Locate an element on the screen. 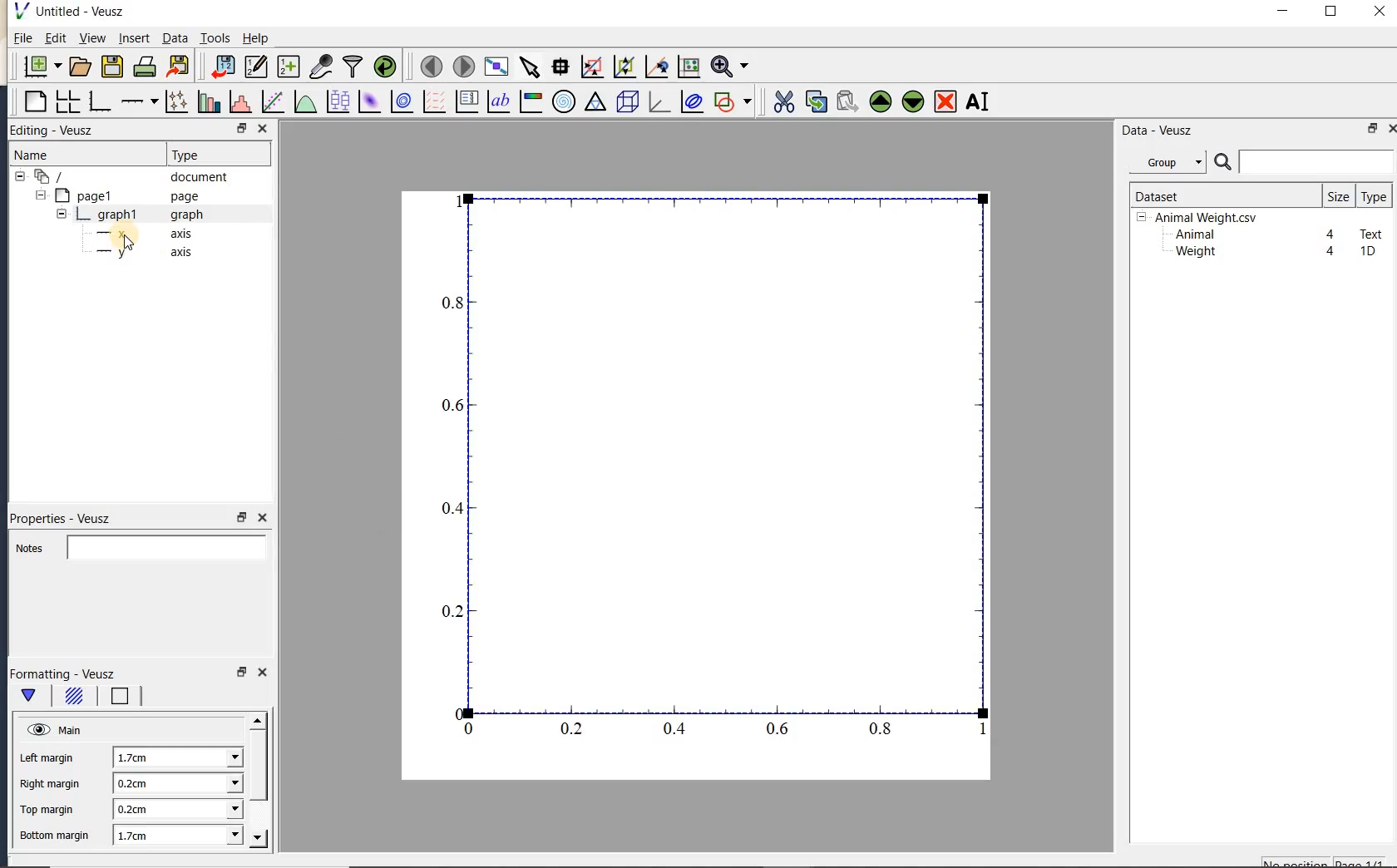  plot covariance ellipses is located at coordinates (690, 101).